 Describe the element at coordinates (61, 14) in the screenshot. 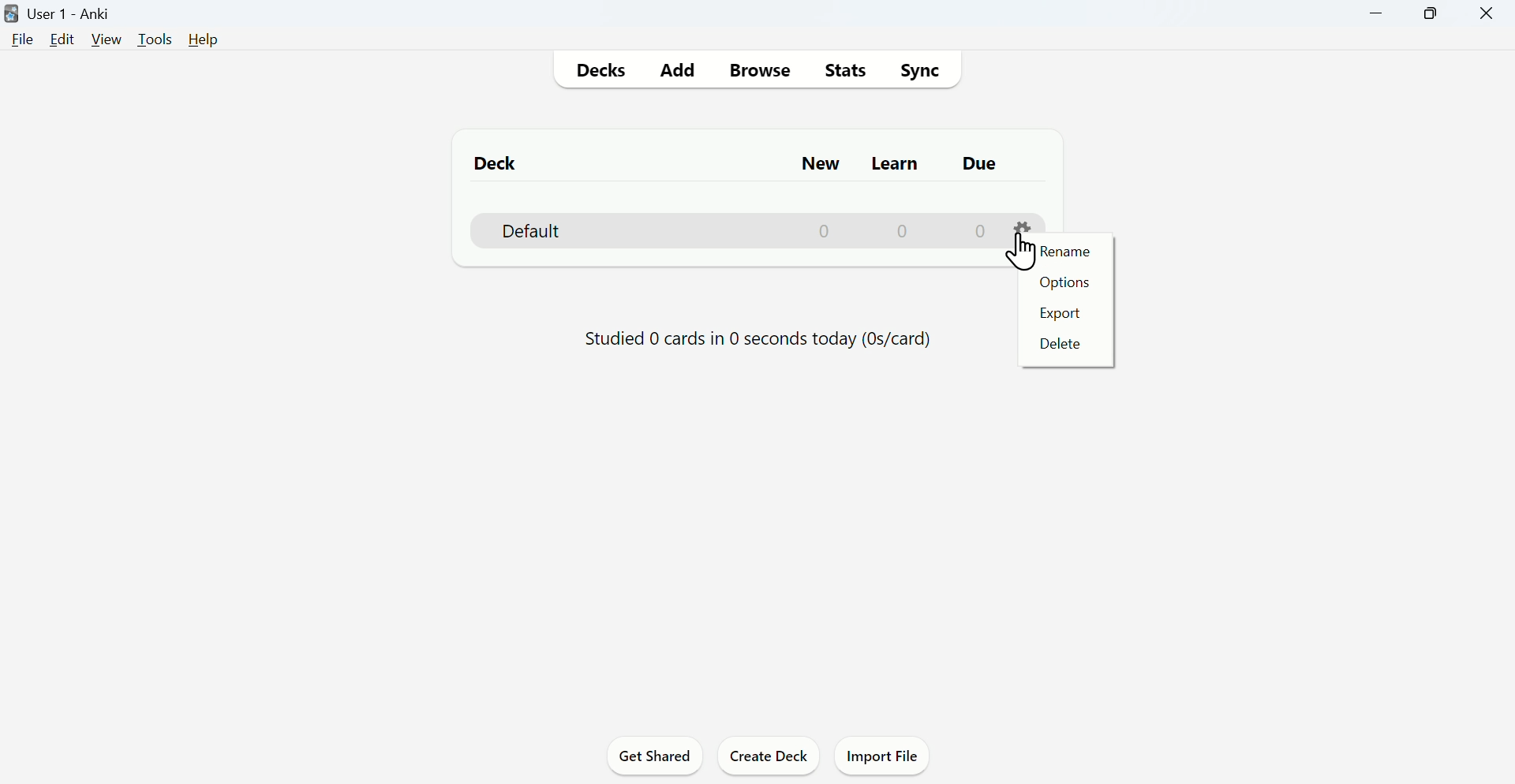

I see `User 1 - Anki` at that location.